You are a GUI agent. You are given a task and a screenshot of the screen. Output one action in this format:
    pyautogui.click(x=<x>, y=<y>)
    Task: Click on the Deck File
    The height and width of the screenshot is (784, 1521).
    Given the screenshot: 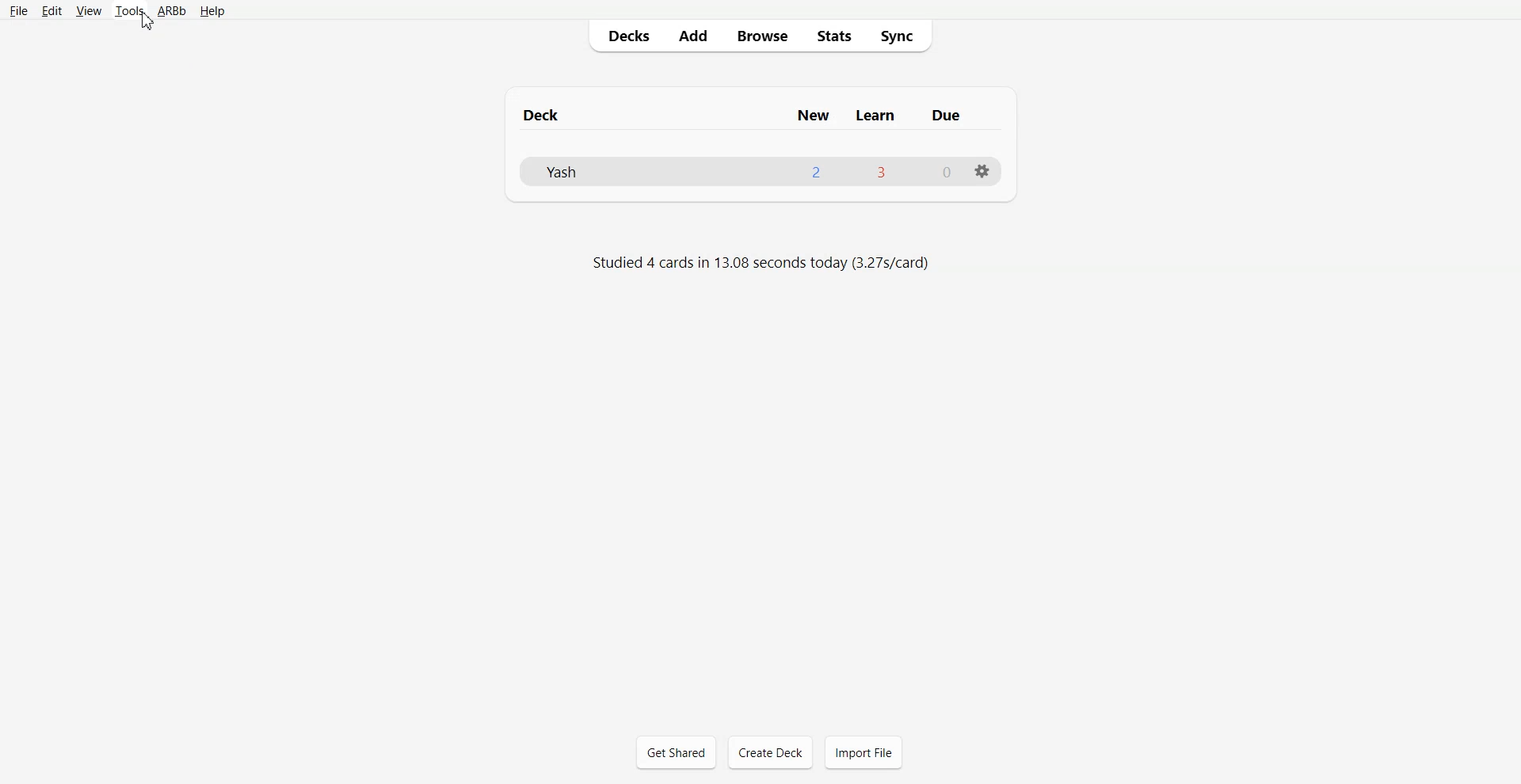 What is the action you would take?
    pyautogui.click(x=761, y=172)
    